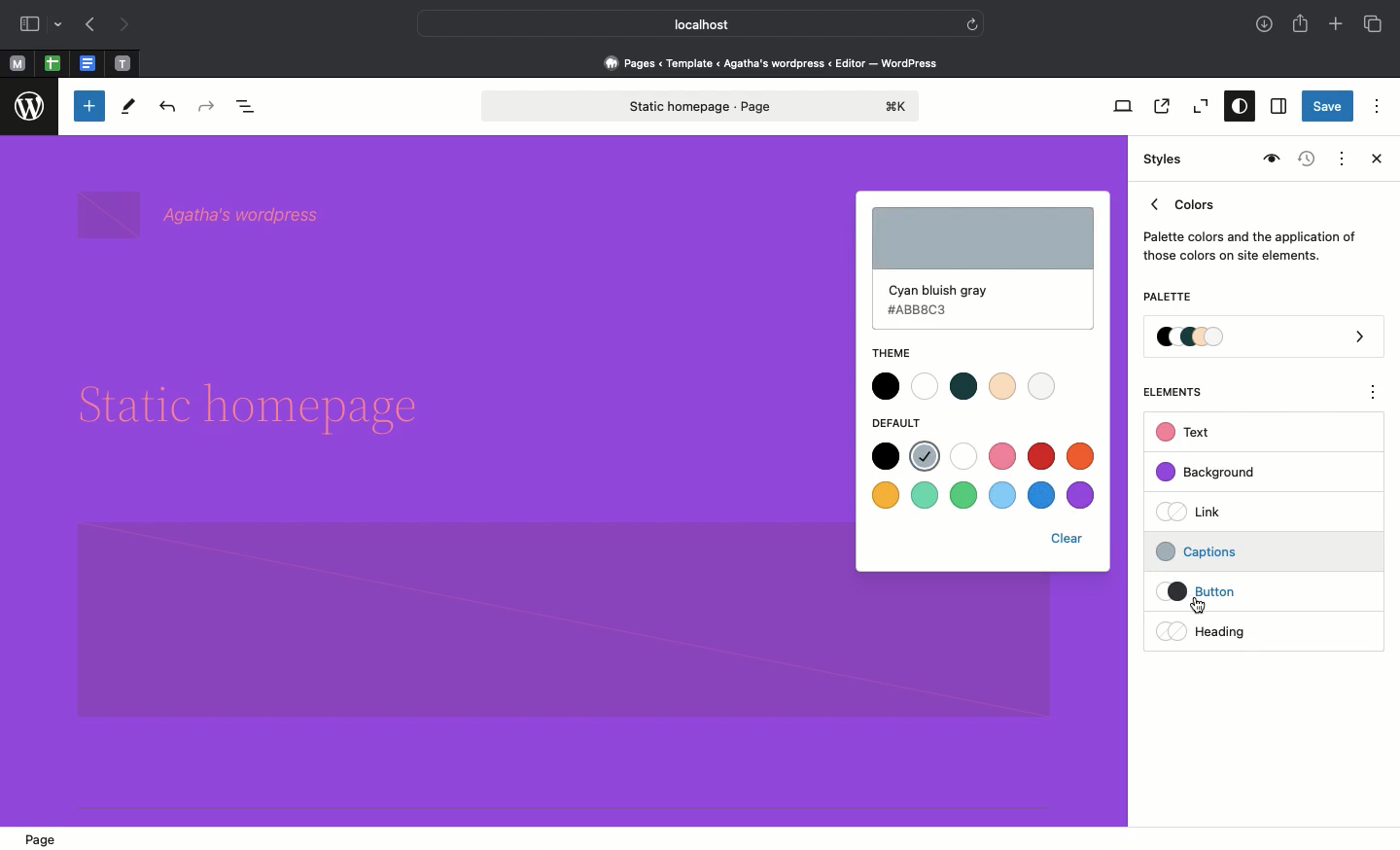  What do you see at coordinates (984, 268) in the screenshot?
I see `Color selected` at bounding box center [984, 268].